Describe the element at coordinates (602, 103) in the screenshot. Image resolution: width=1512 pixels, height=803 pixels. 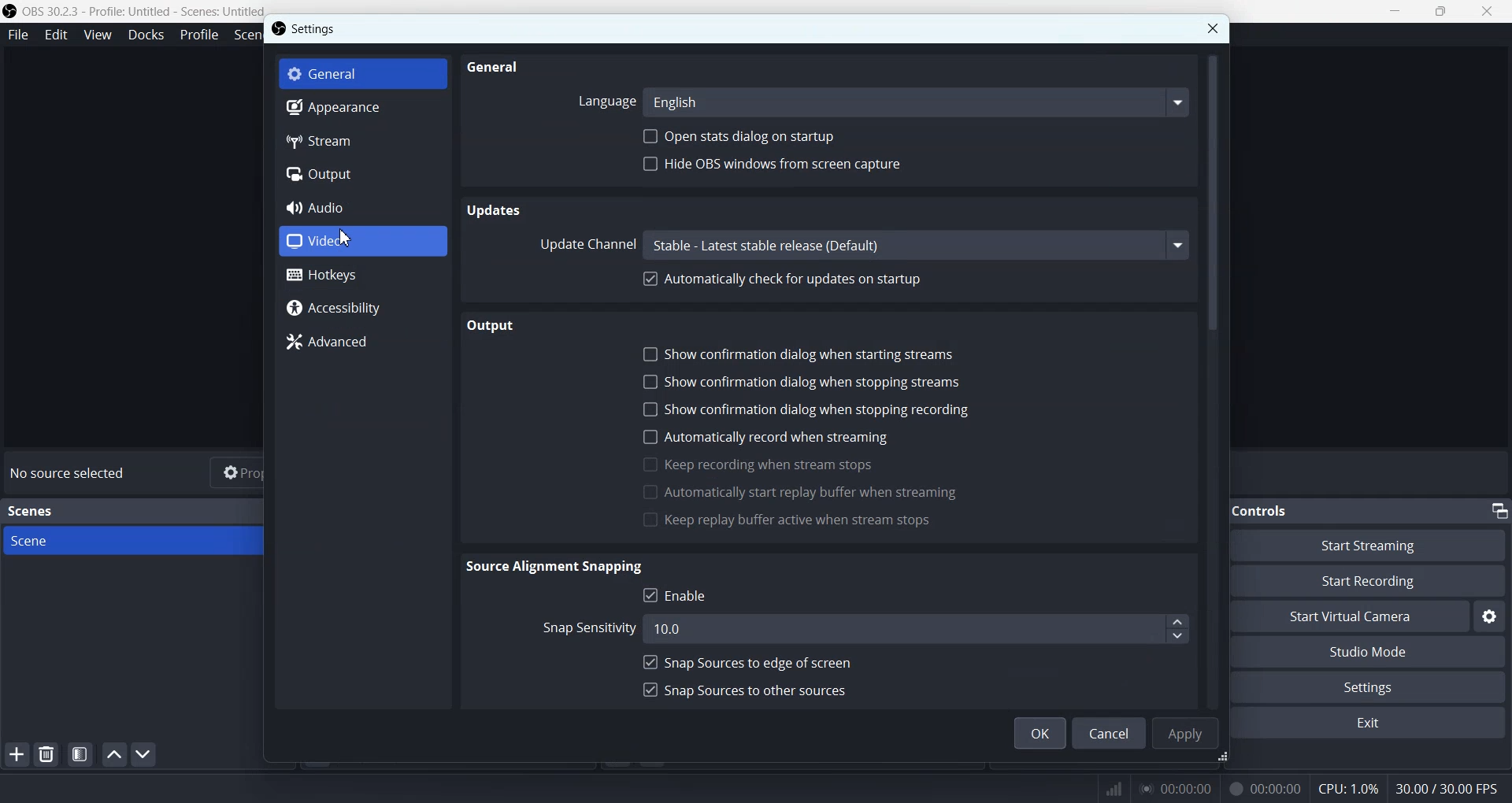
I see `Language` at that location.